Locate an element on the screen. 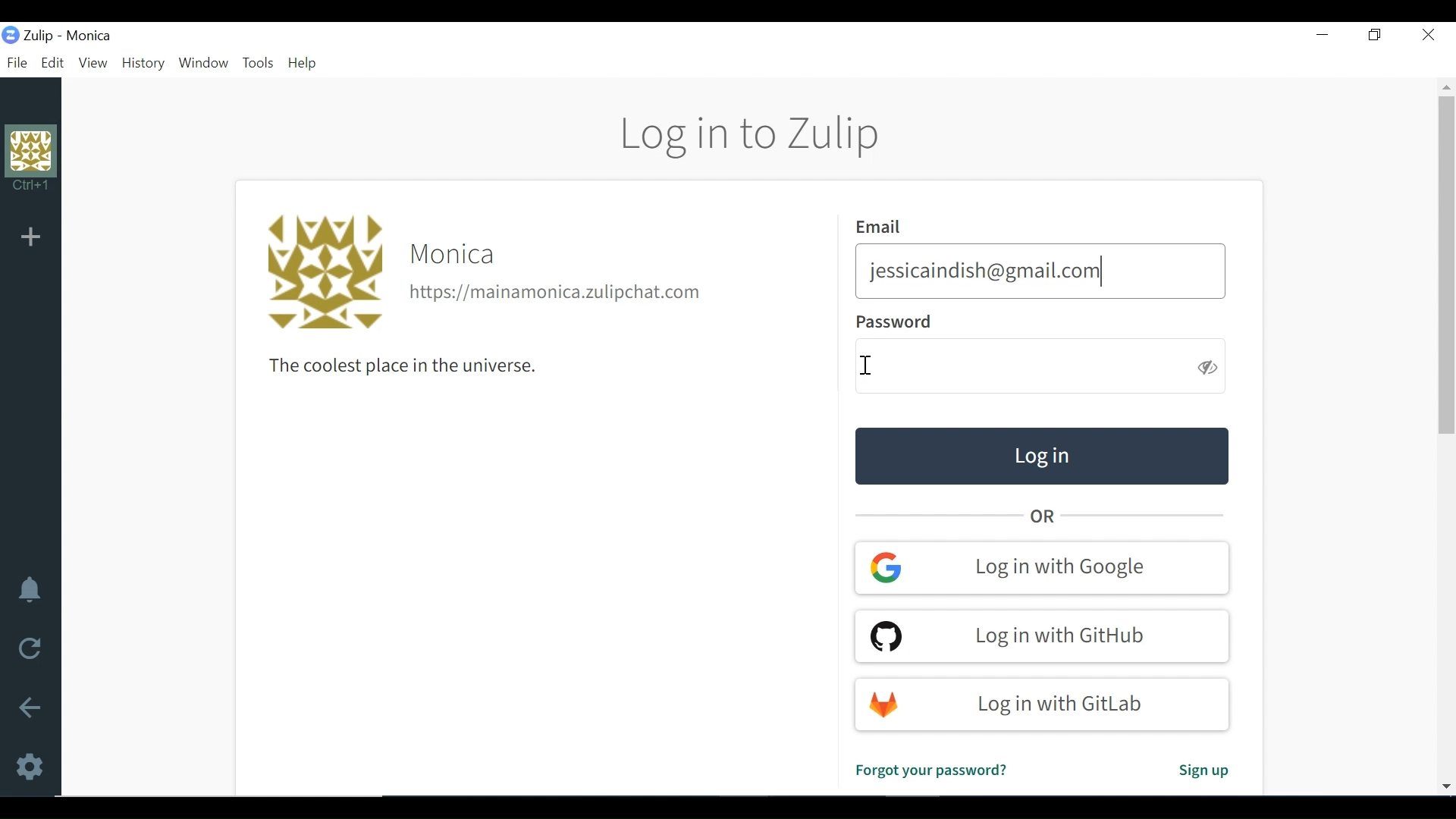 This screenshot has width=1456, height=819. Log in with Gitlab is located at coordinates (1044, 704).